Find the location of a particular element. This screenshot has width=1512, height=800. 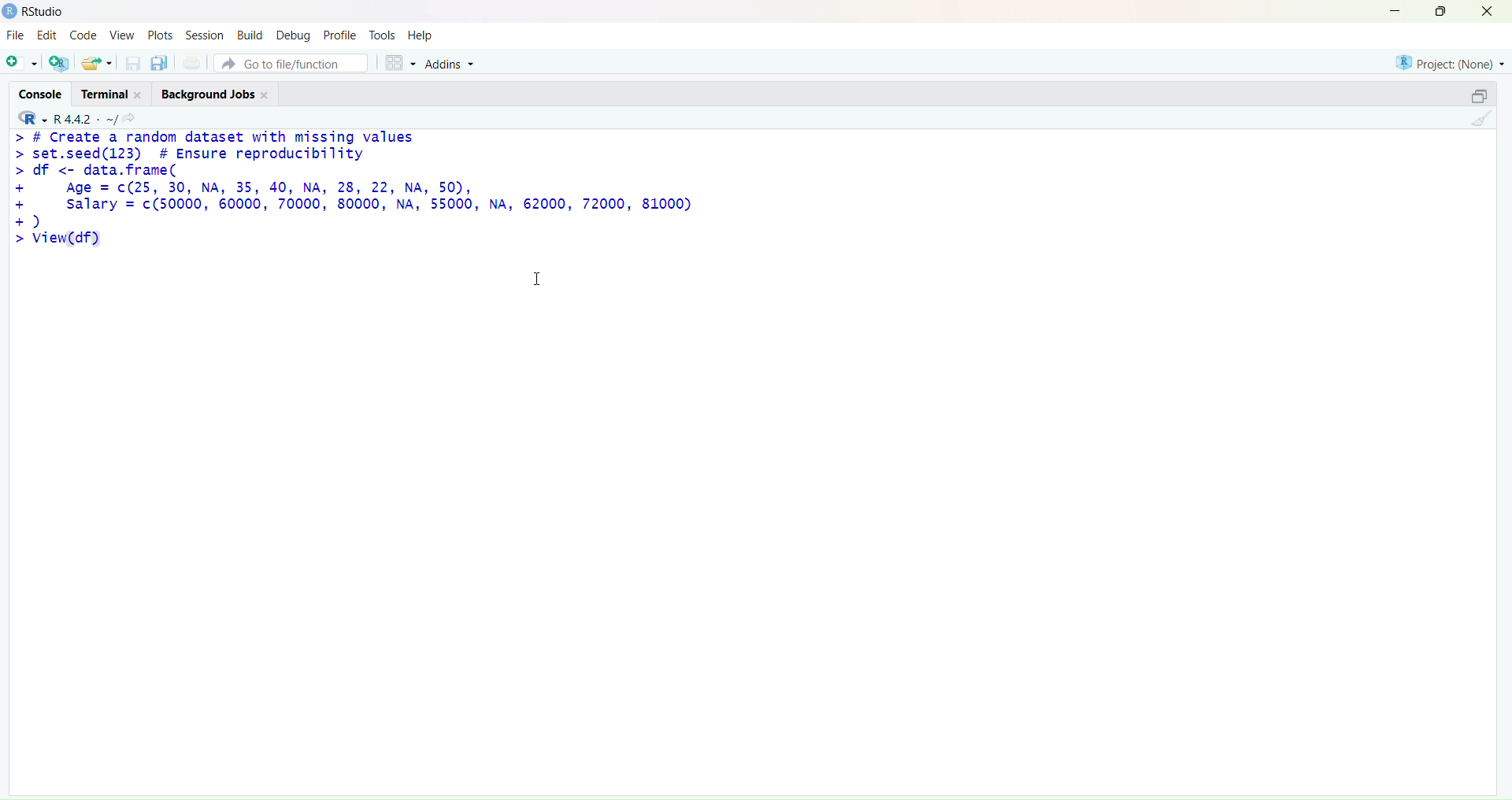

cursor is located at coordinates (539, 280).